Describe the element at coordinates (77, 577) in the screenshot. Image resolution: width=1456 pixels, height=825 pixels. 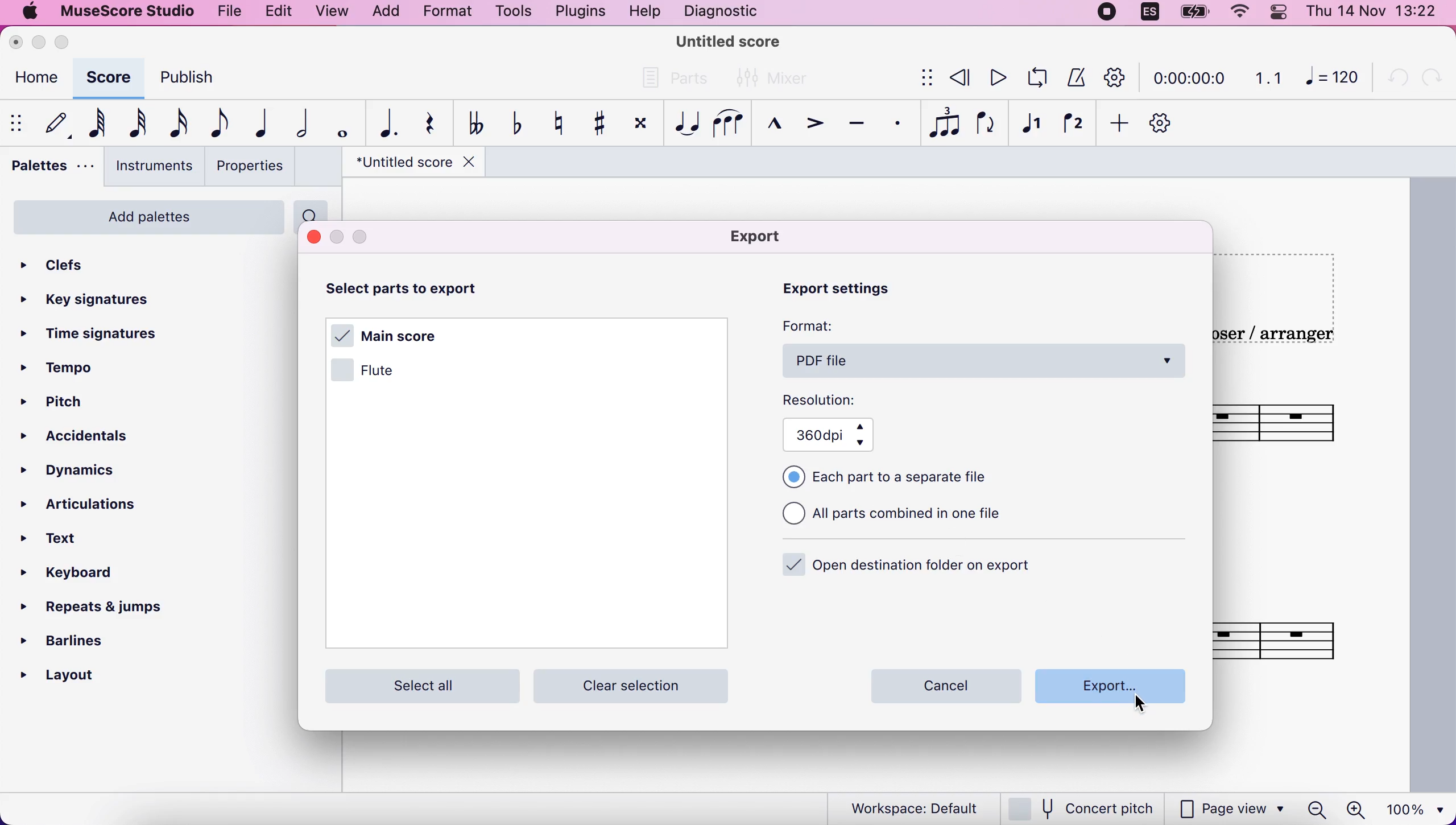
I see `keyboard` at that location.